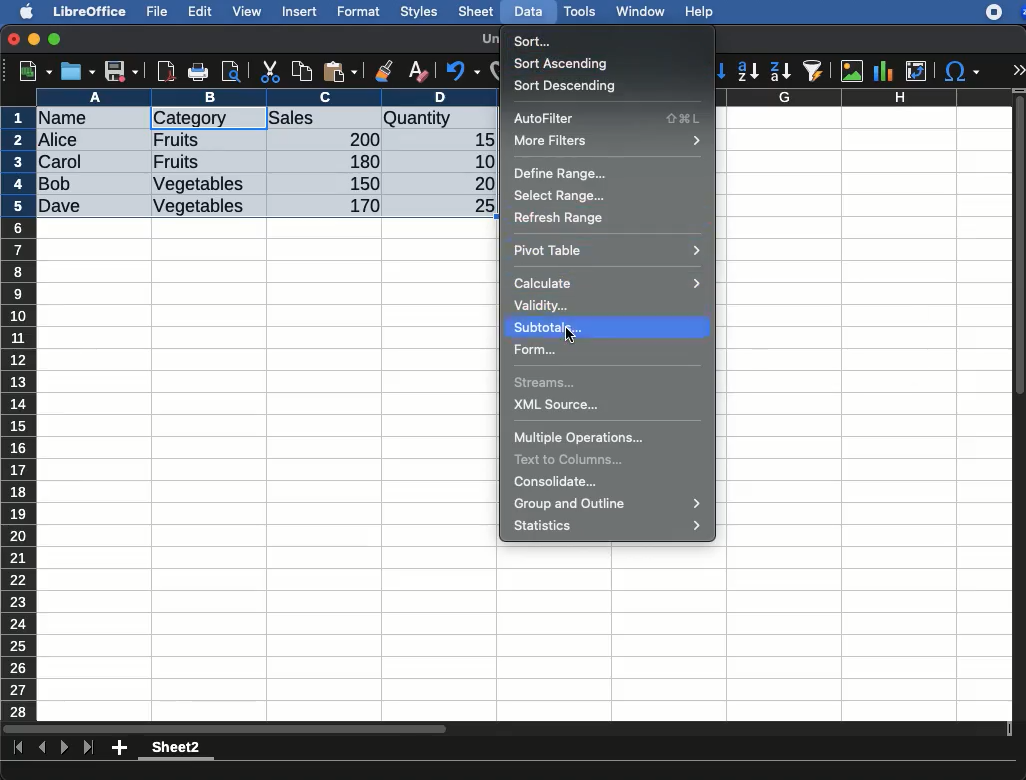  Describe the element at coordinates (62, 749) in the screenshot. I see `next sheet` at that location.